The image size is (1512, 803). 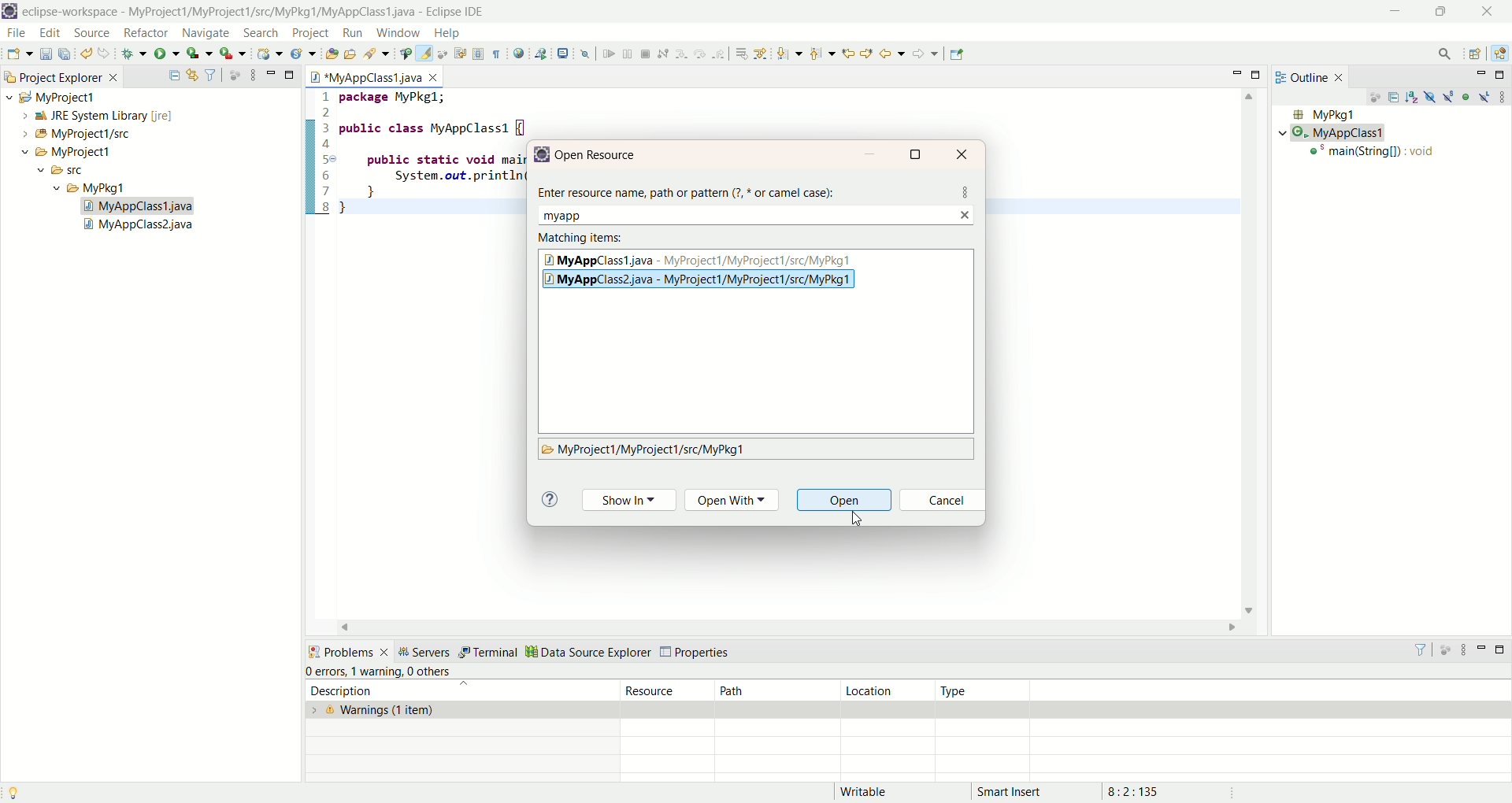 I want to click on open type, so click(x=329, y=55).